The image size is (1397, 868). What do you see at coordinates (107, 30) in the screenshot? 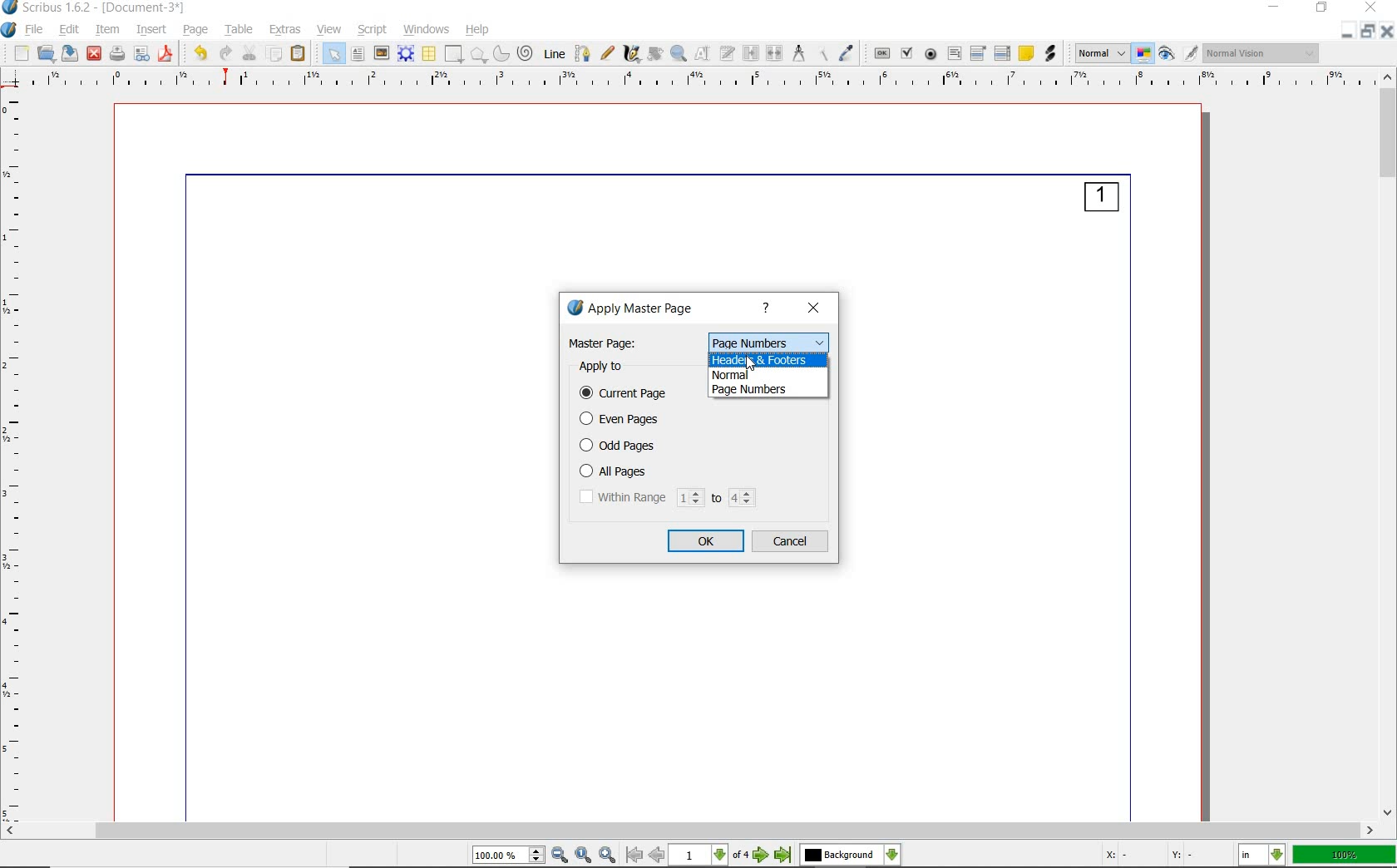
I see `item` at bounding box center [107, 30].